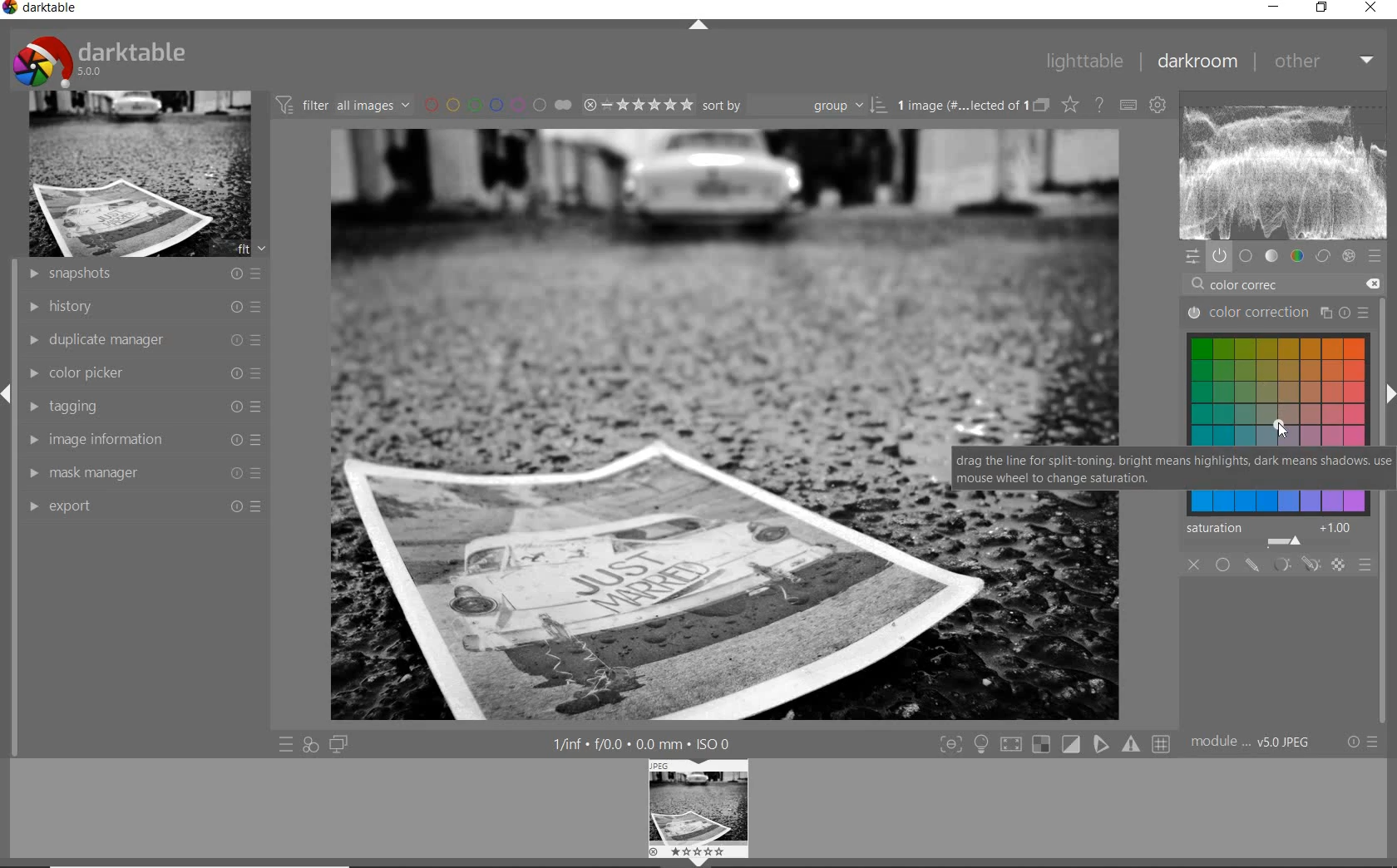 Image resolution: width=1397 pixels, height=868 pixels. What do you see at coordinates (8, 395) in the screenshot?
I see `expand/collapse` at bounding box center [8, 395].